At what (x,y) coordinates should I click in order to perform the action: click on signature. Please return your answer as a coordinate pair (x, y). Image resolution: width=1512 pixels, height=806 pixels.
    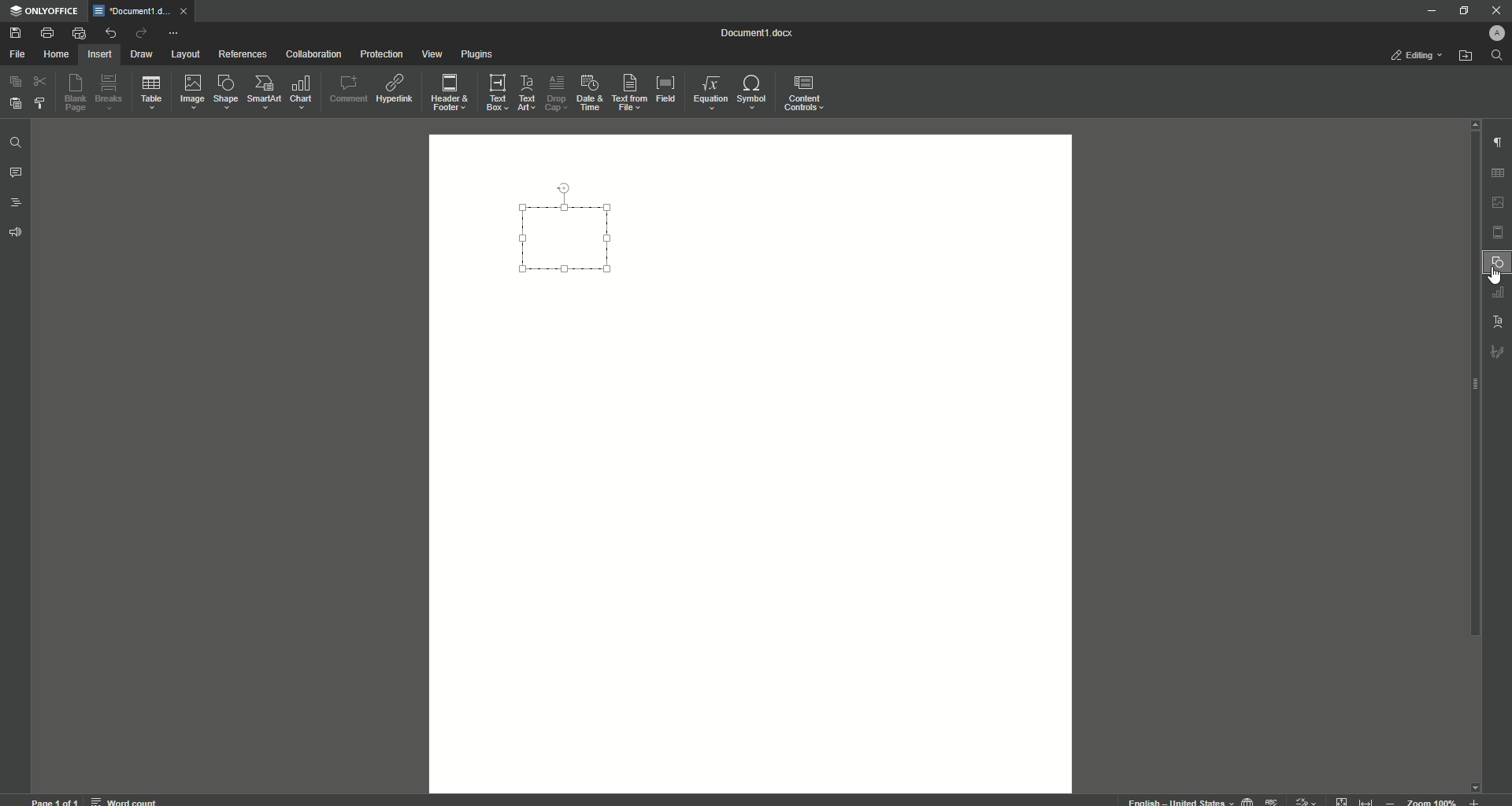
    Looking at the image, I should click on (1498, 353).